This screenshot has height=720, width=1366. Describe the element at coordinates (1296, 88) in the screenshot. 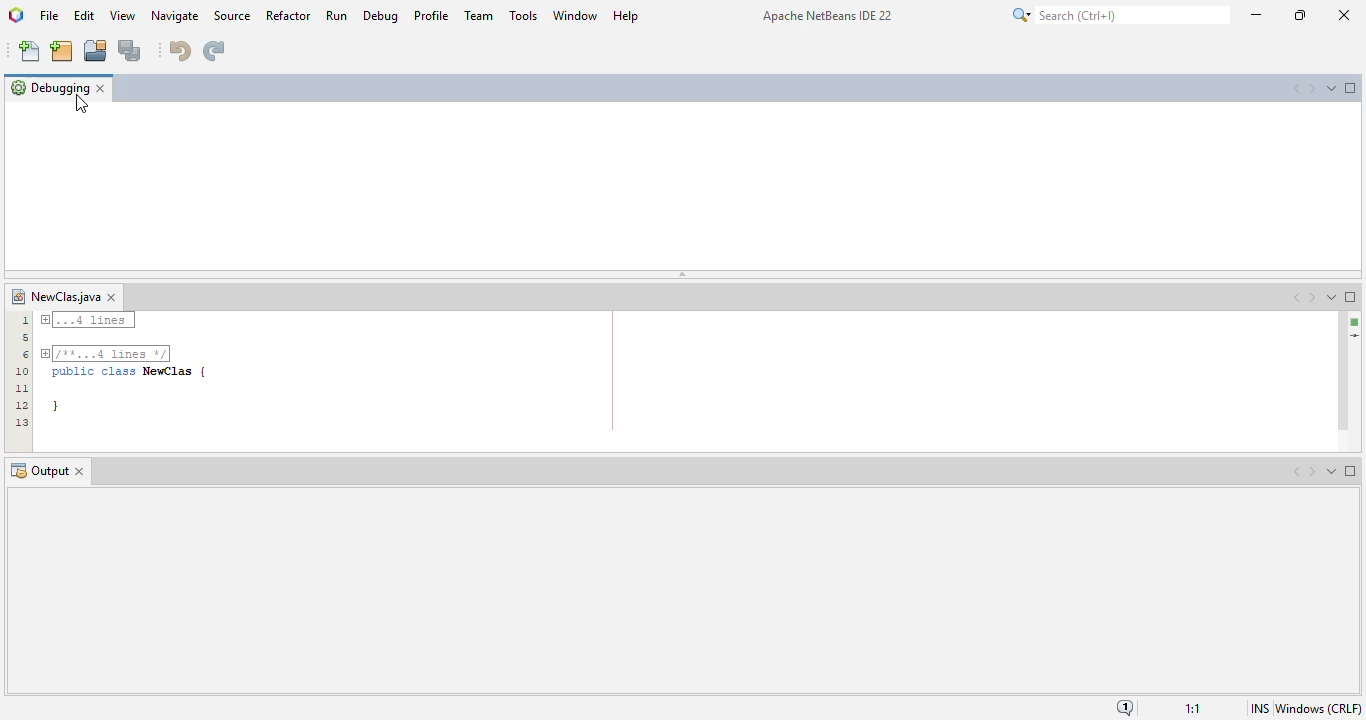

I see `scroll documents left` at that location.